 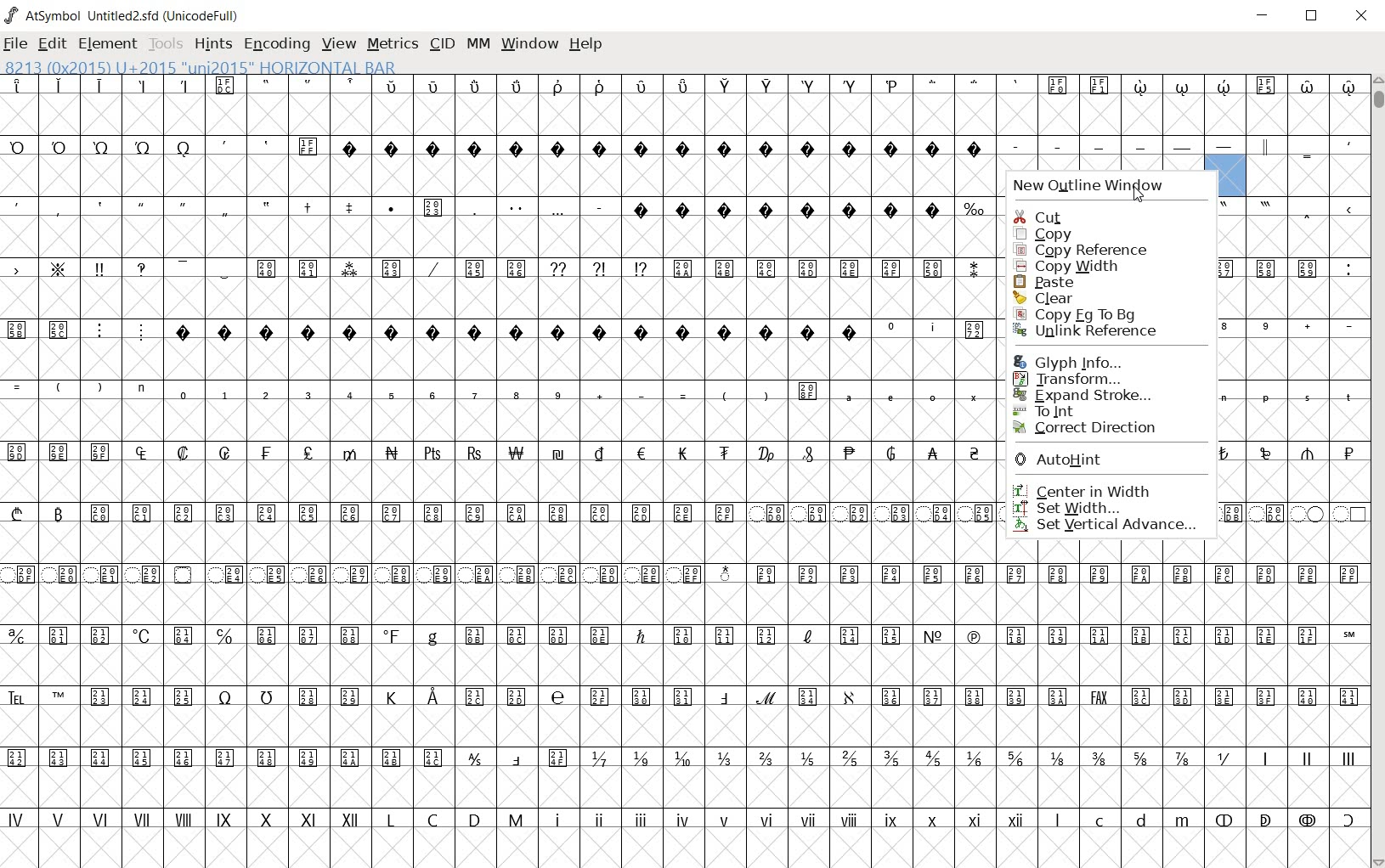 What do you see at coordinates (1090, 396) in the screenshot?
I see `Expand Stroke` at bounding box center [1090, 396].